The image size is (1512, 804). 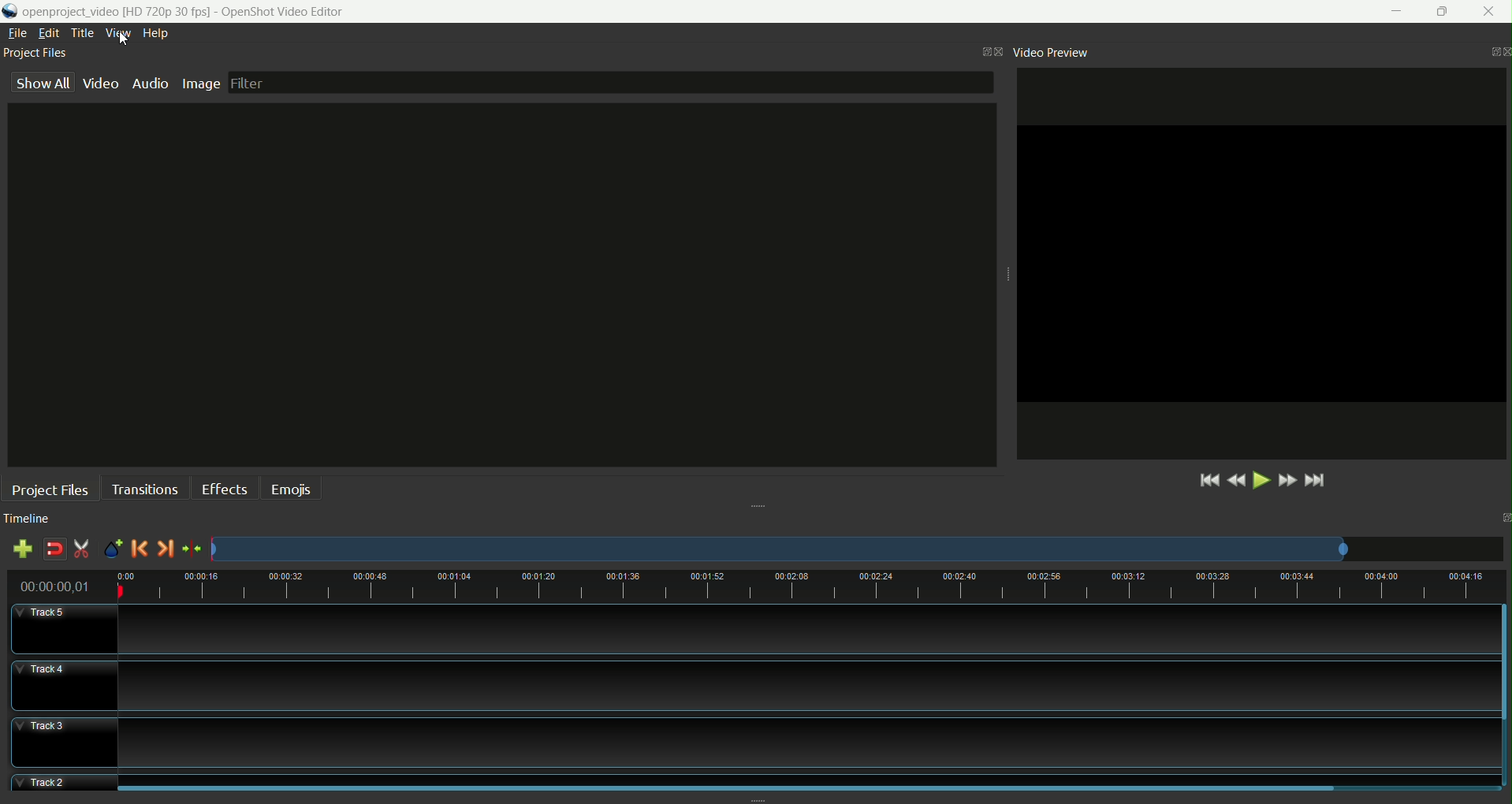 What do you see at coordinates (84, 33) in the screenshot?
I see `title` at bounding box center [84, 33].